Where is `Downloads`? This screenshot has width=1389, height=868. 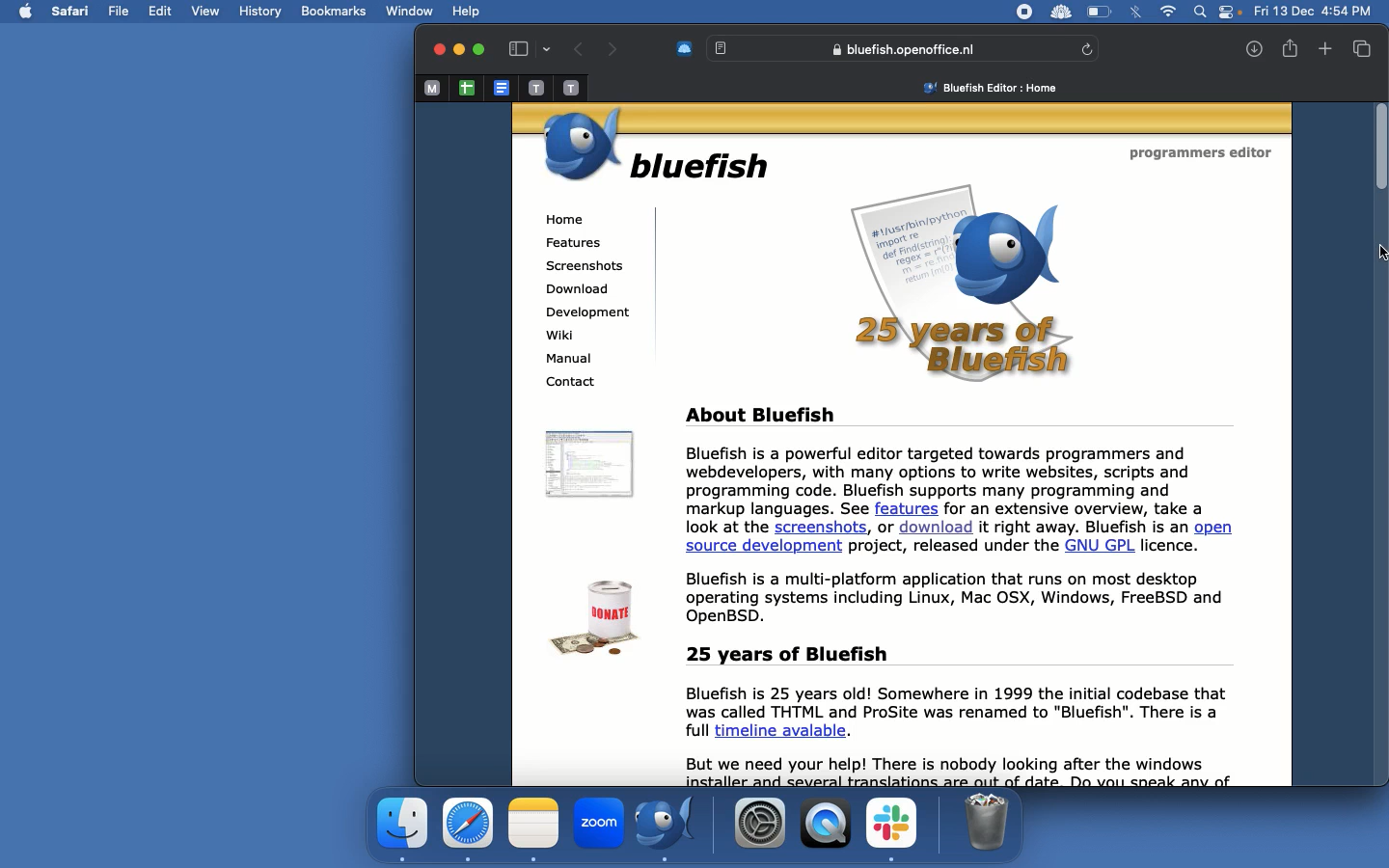 Downloads is located at coordinates (1256, 49).